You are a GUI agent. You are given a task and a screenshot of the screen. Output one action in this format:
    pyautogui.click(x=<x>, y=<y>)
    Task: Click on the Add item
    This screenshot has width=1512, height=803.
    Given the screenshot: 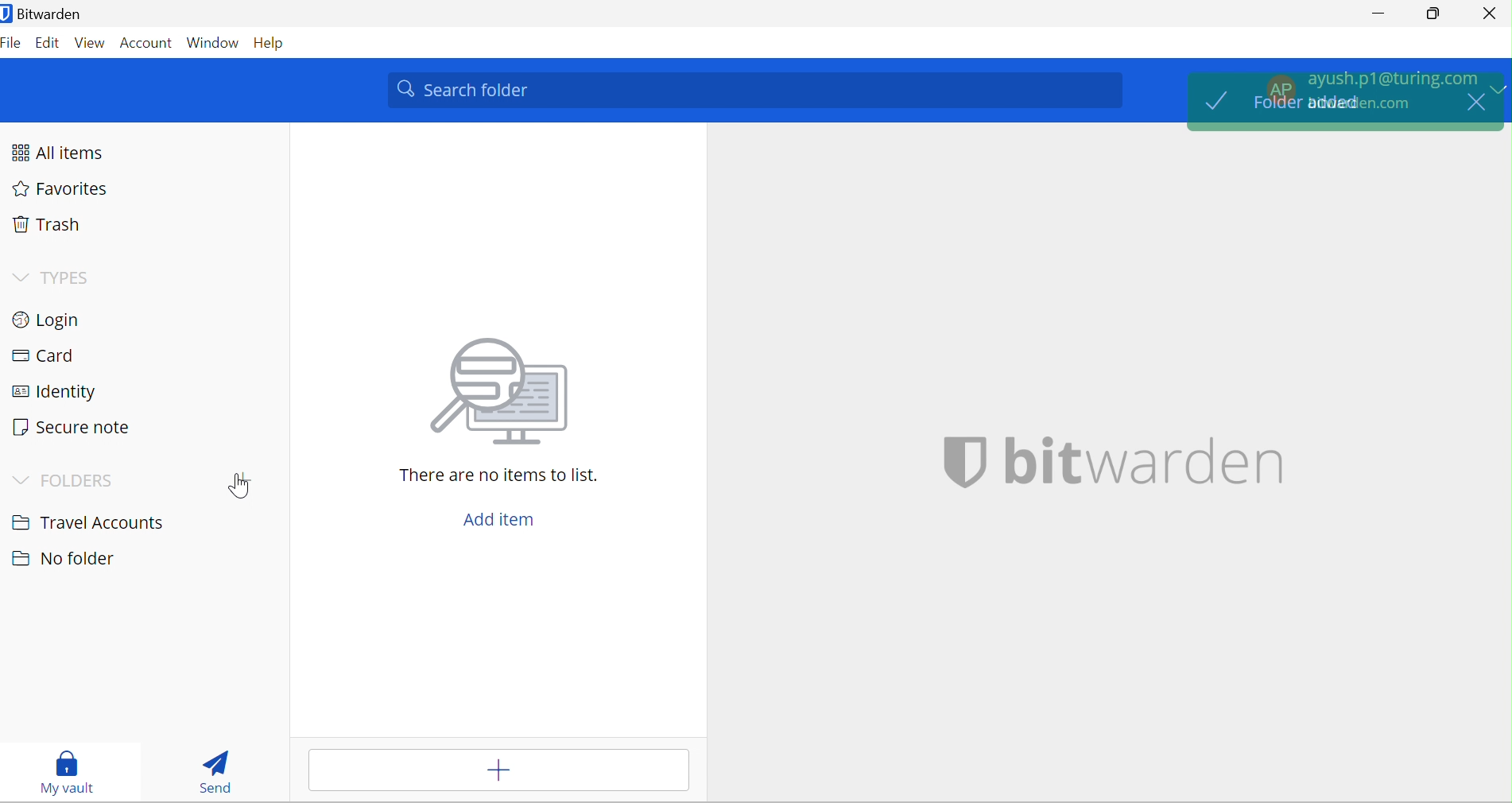 What is the action you would take?
    pyautogui.click(x=508, y=517)
    